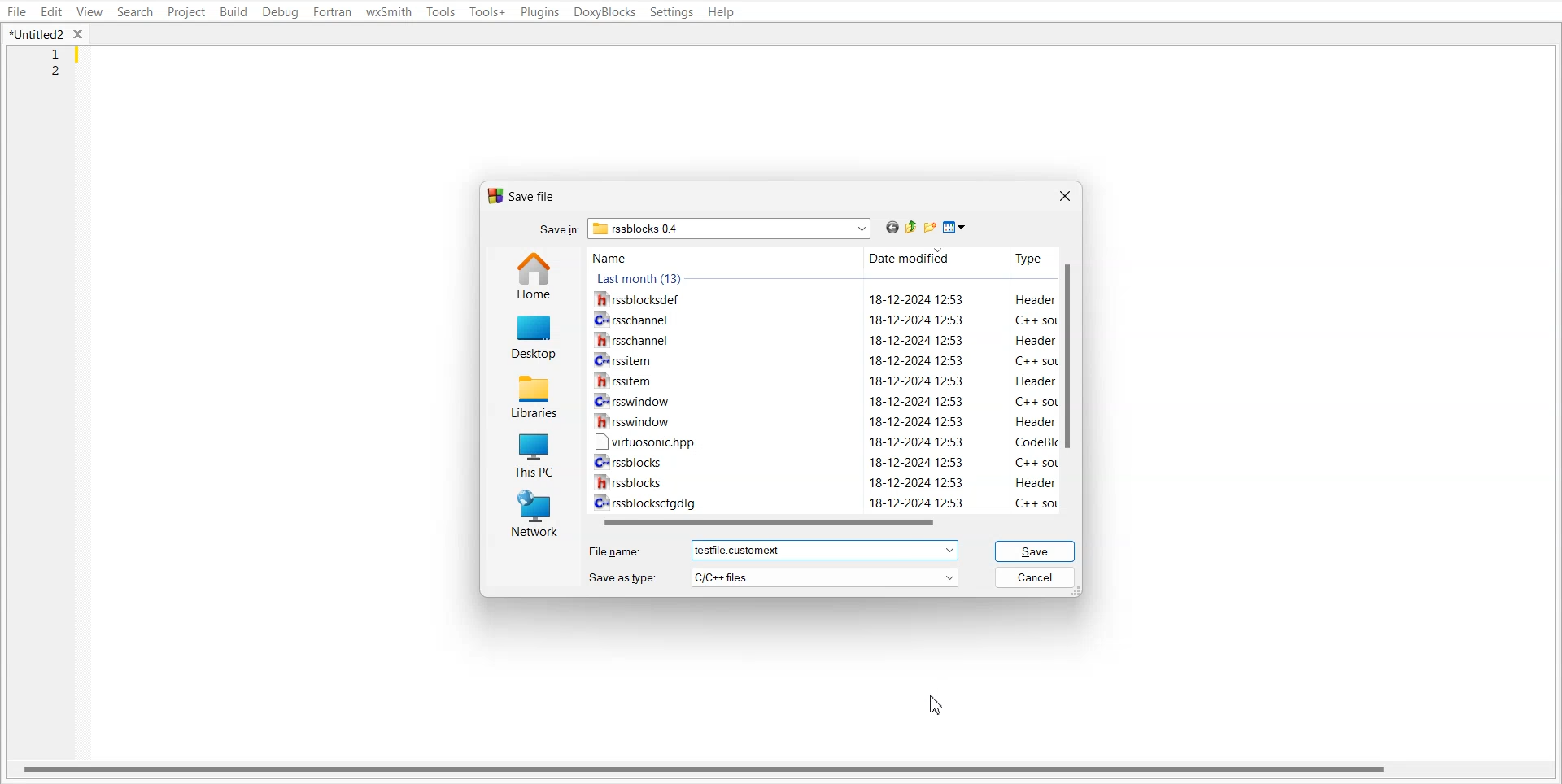  I want to click on Create new folder, so click(932, 229).